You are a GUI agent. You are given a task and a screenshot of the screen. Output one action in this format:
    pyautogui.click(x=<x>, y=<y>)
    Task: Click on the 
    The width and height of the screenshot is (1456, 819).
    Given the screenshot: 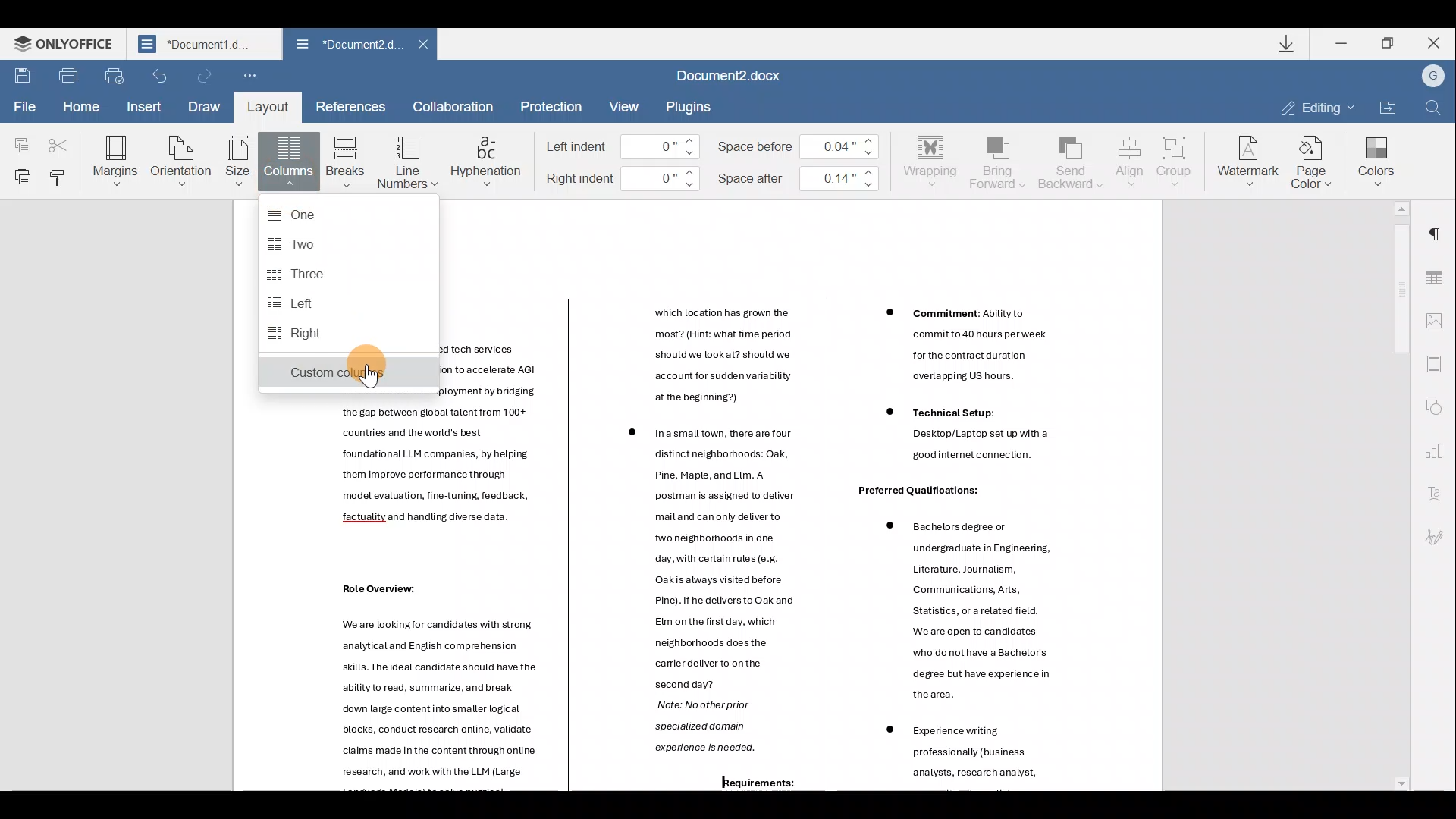 What is the action you would take?
    pyautogui.click(x=693, y=738)
    